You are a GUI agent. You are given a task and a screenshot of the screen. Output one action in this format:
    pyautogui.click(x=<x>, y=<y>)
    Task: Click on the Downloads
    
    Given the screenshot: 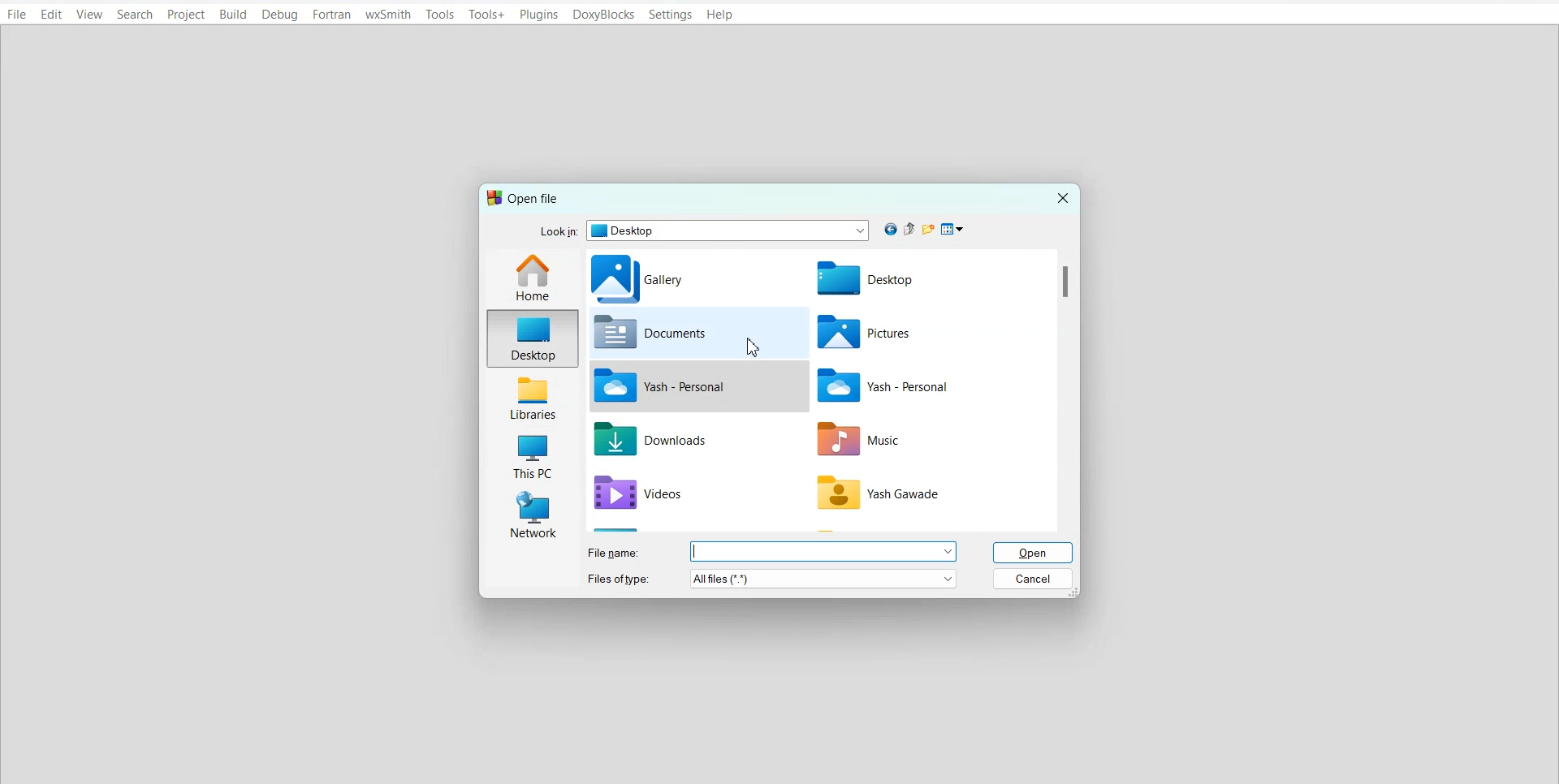 What is the action you would take?
    pyautogui.click(x=698, y=437)
    